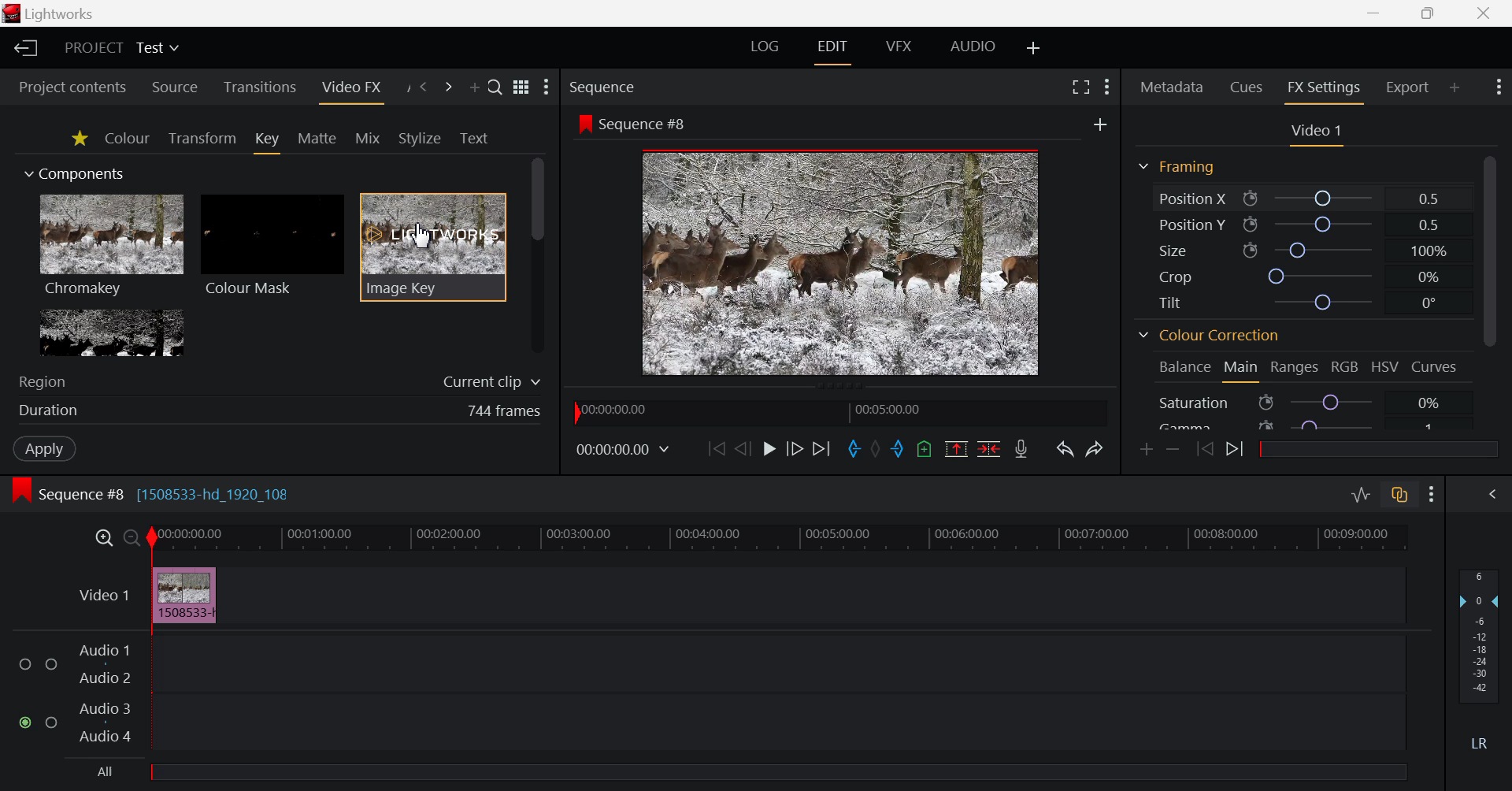  Describe the element at coordinates (973, 45) in the screenshot. I see `AUDIO Layout` at that location.